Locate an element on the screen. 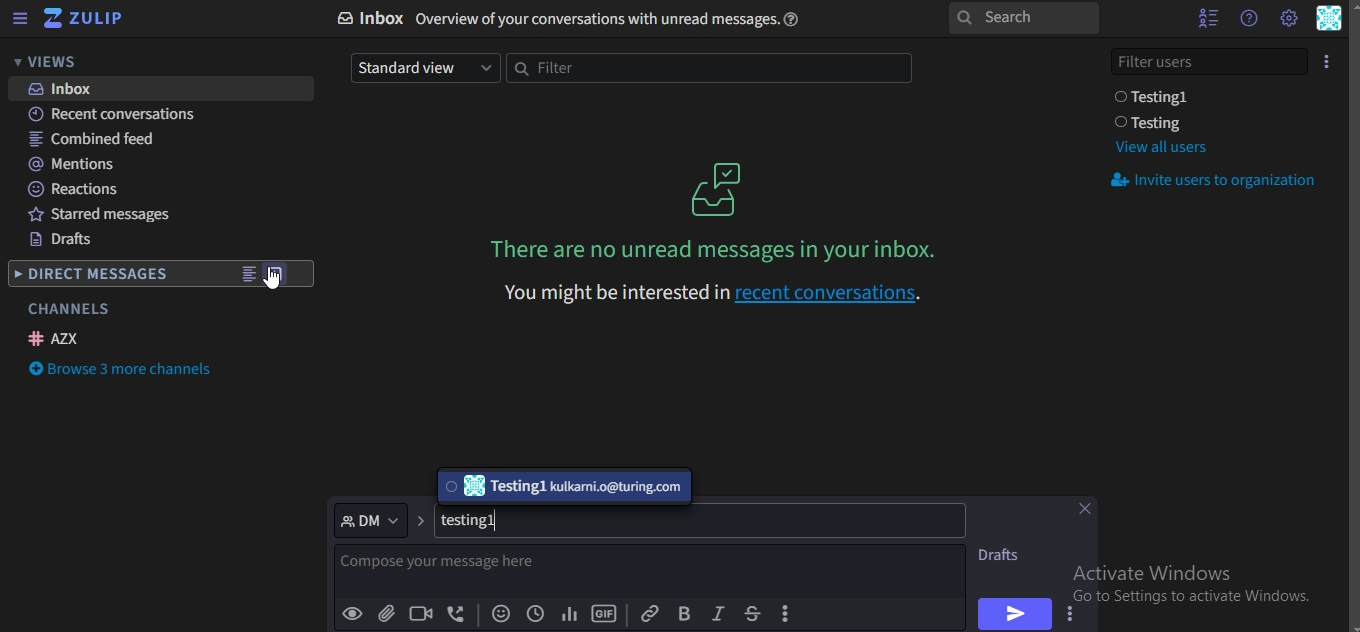 This screenshot has height=632, width=1360. text is located at coordinates (476, 521).